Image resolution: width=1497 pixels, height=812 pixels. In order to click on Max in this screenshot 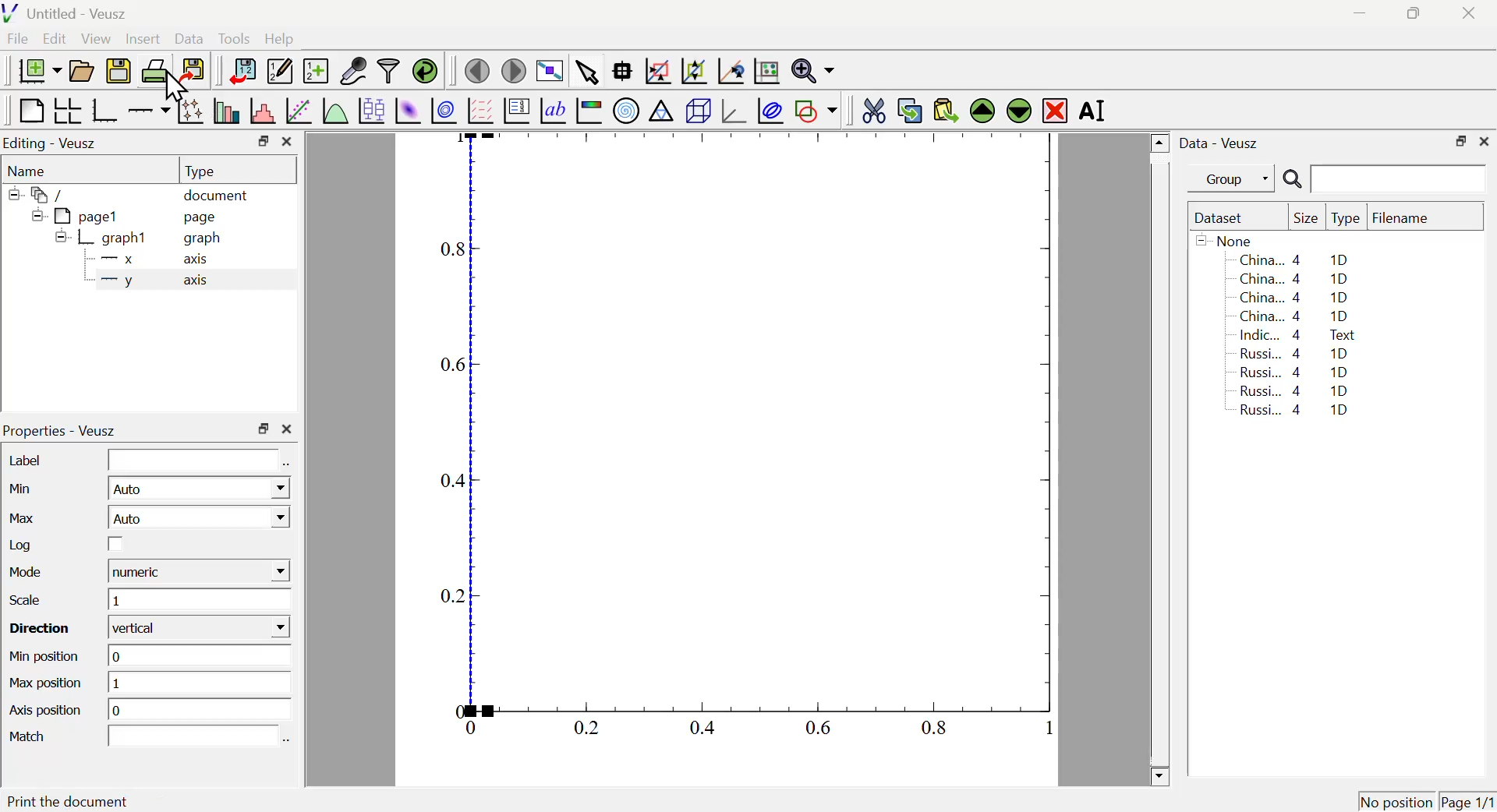, I will do `click(24, 517)`.